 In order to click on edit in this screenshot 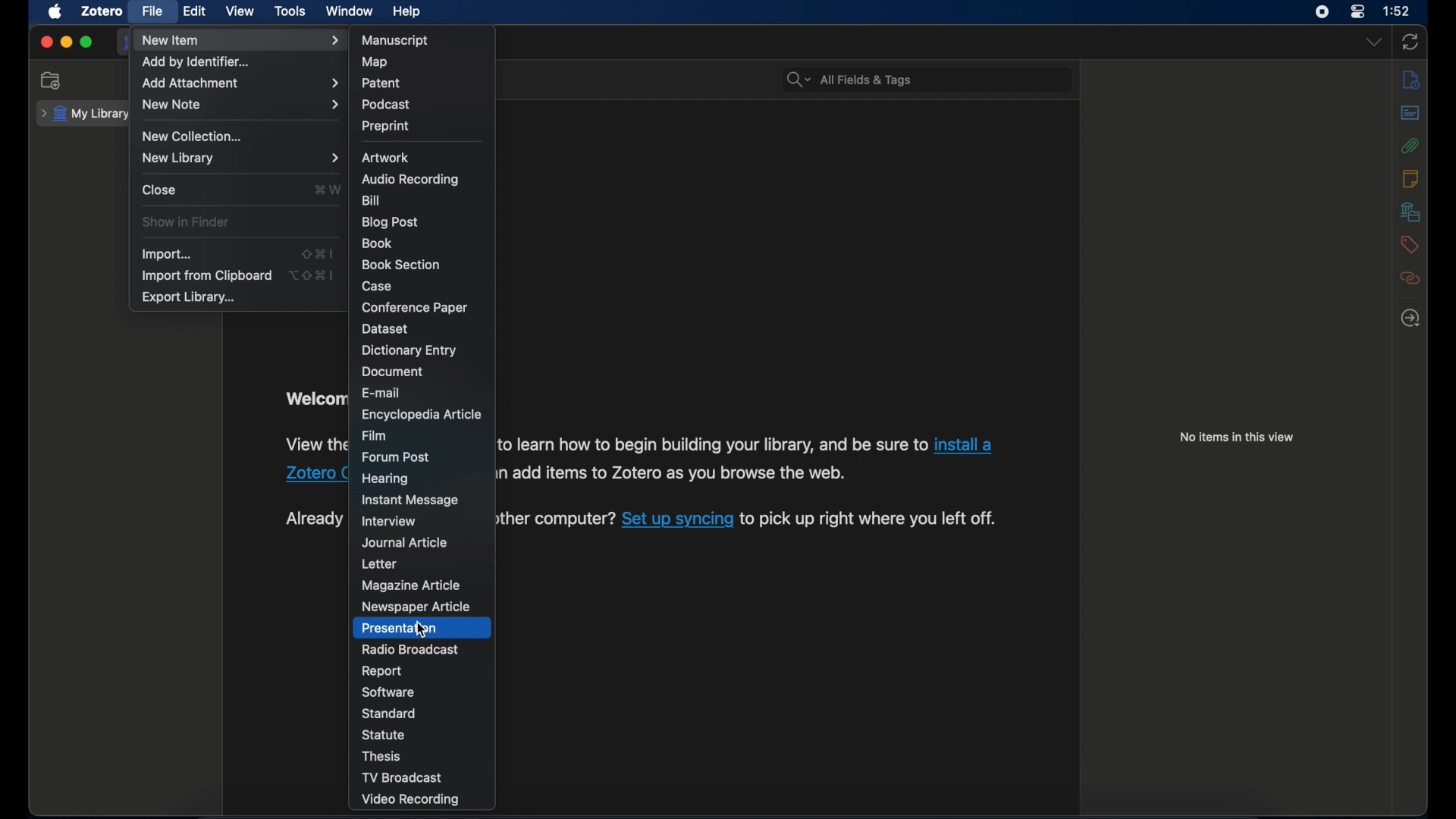, I will do `click(196, 11)`.